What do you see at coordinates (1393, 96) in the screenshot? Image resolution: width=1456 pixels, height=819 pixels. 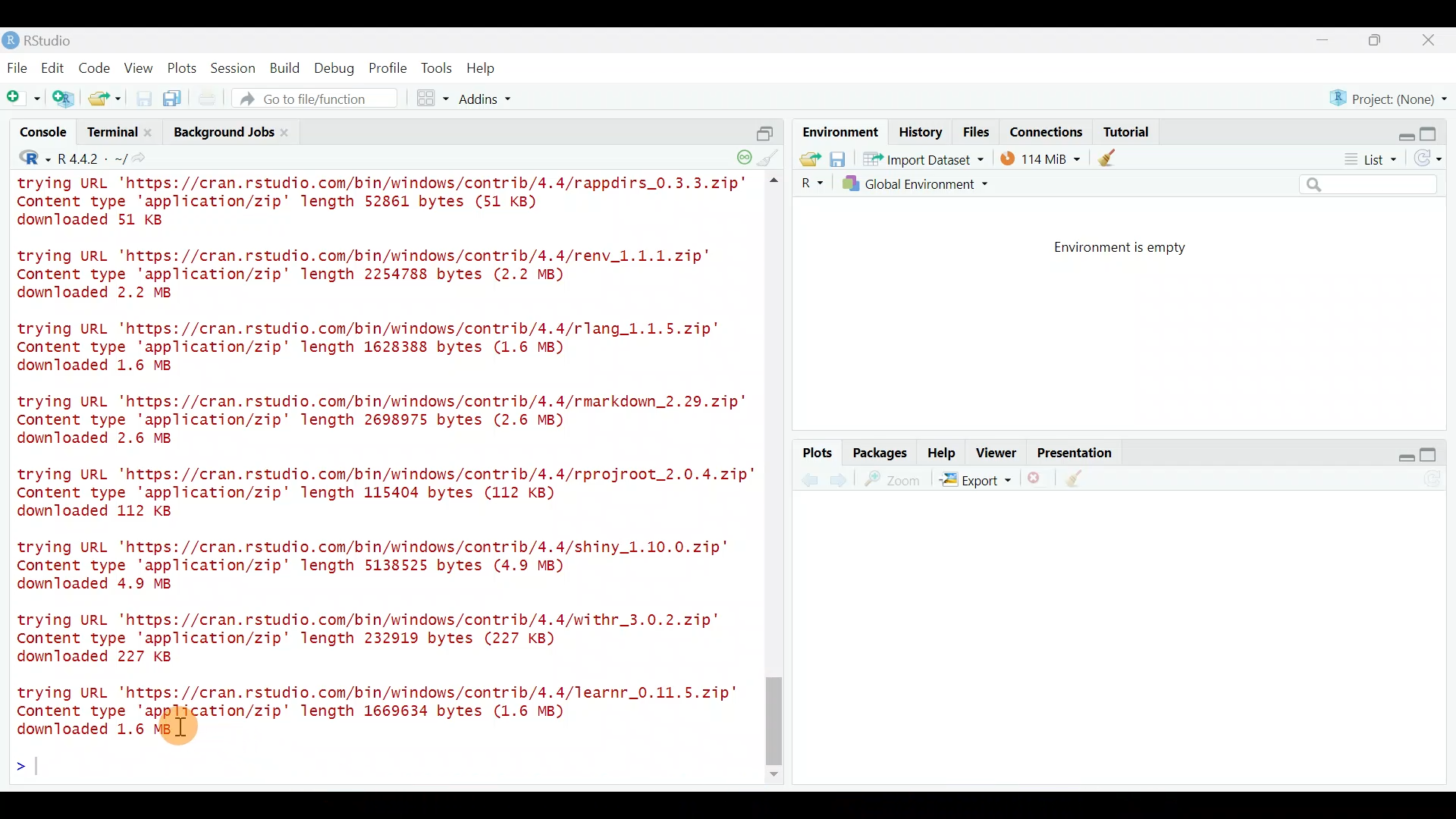 I see `Project (none)` at bounding box center [1393, 96].